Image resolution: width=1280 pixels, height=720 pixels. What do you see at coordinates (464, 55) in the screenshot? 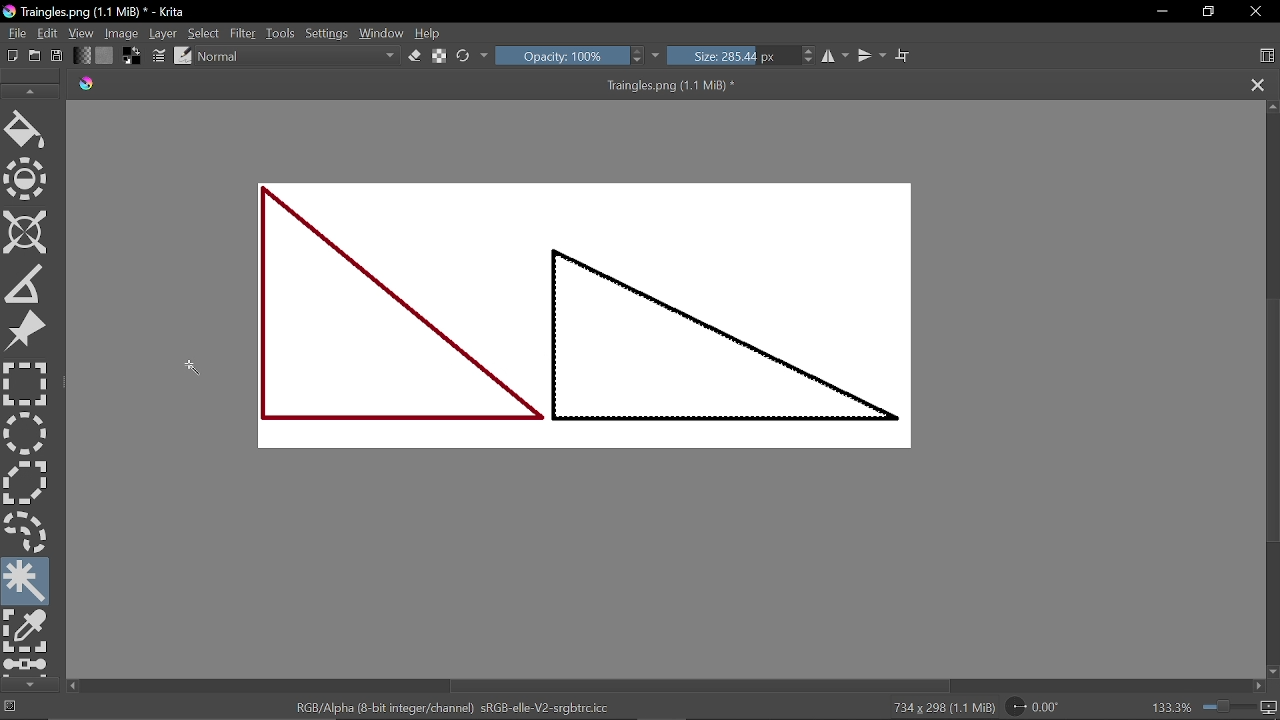
I see `Reset orginal preset` at bounding box center [464, 55].